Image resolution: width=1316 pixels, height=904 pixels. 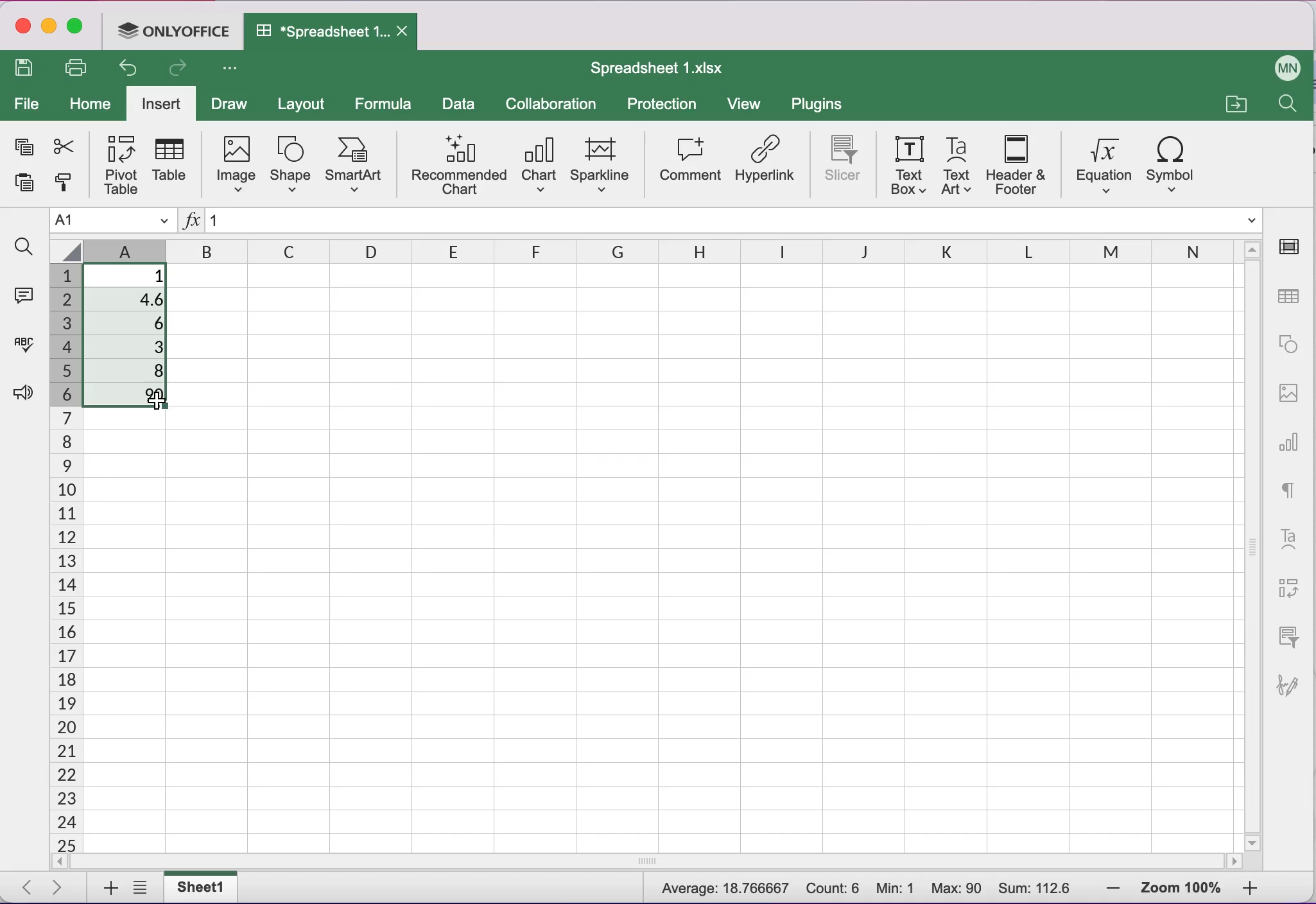 I want to click on Min: 1, so click(x=897, y=888).